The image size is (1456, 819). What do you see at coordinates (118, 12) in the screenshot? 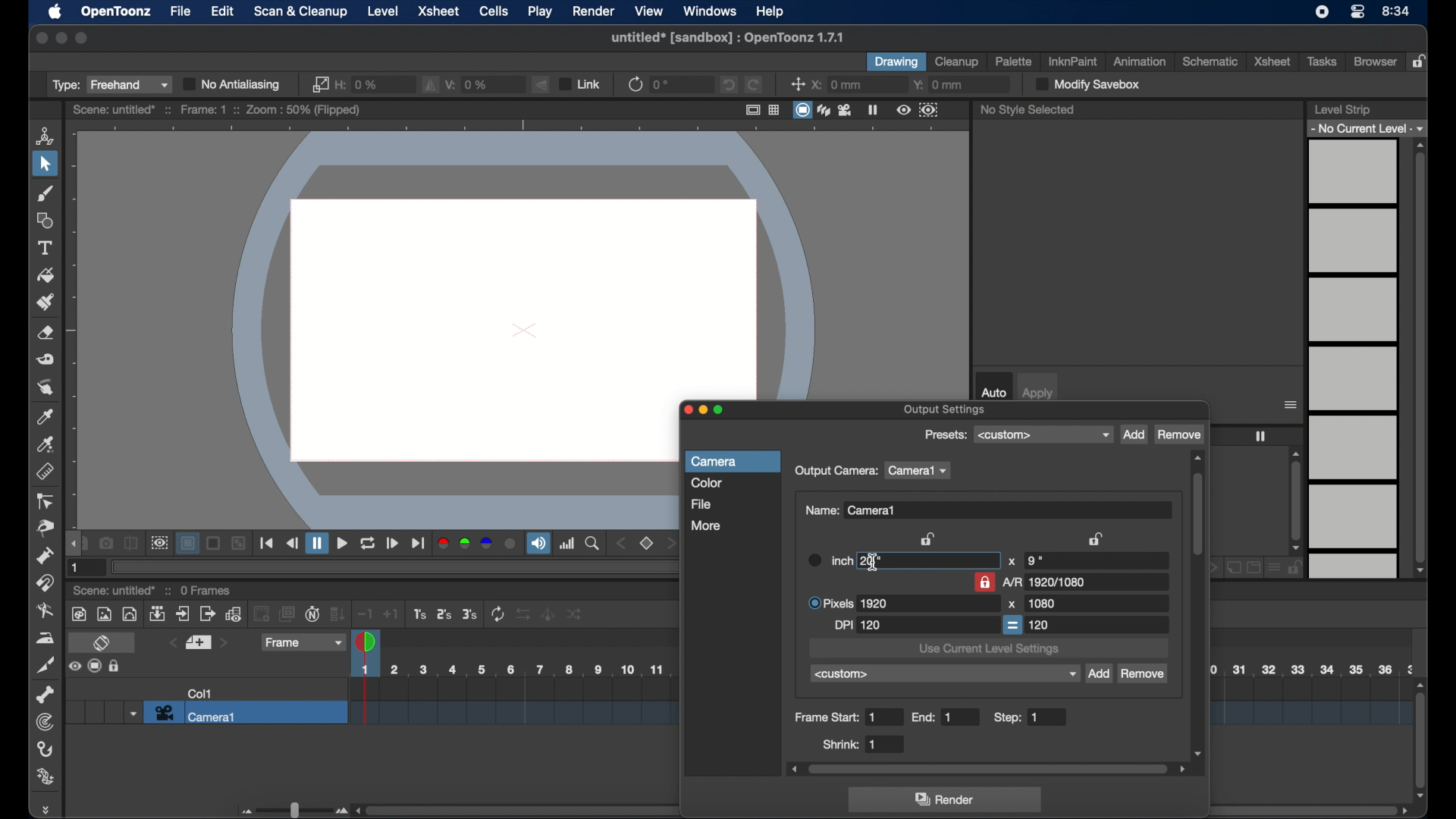
I see `opentoonz` at bounding box center [118, 12].